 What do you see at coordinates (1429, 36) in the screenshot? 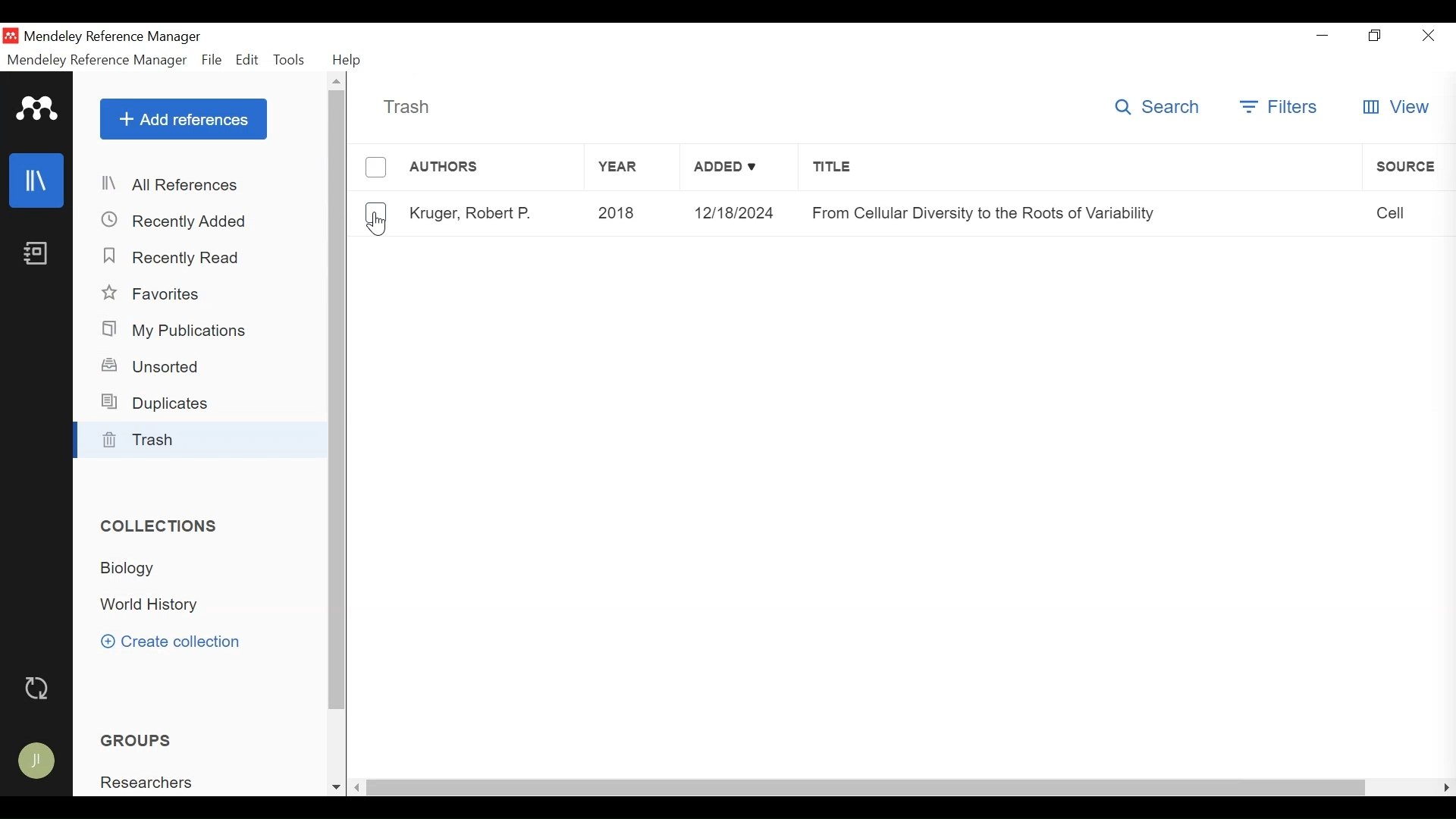
I see `Close` at bounding box center [1429, 36].